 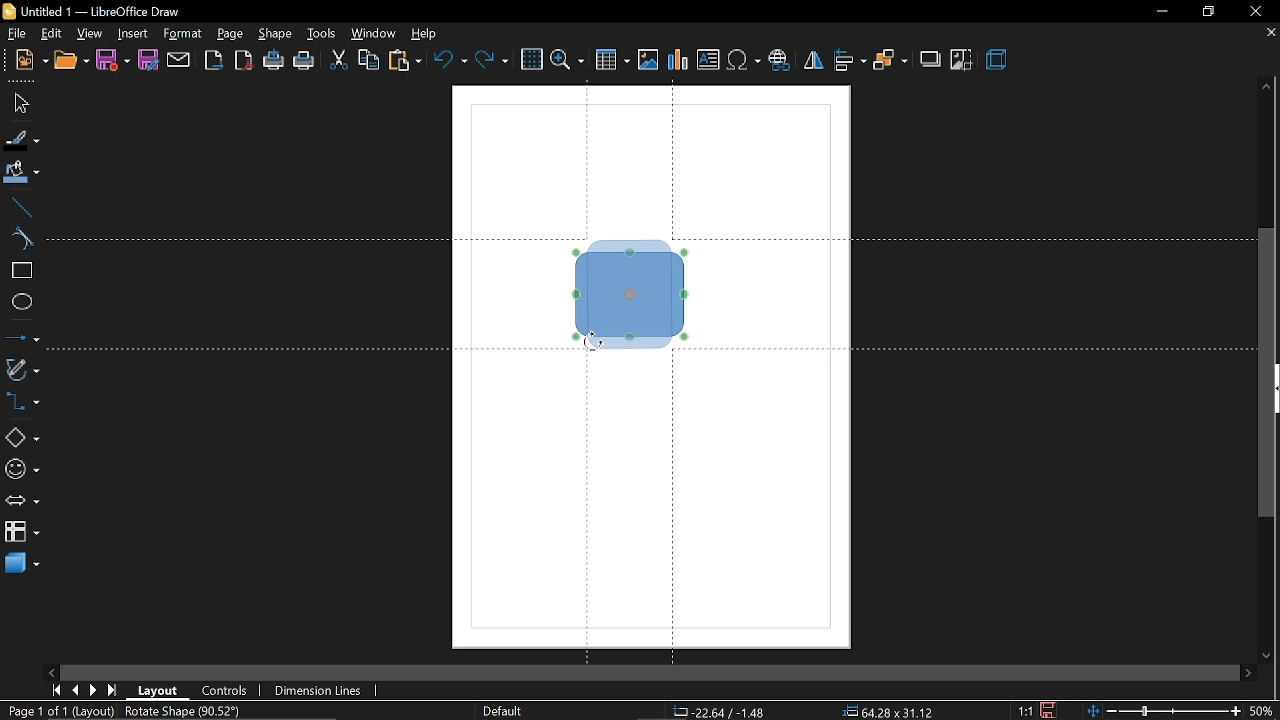 I want to click on fill line, so click(x=21, y=140).